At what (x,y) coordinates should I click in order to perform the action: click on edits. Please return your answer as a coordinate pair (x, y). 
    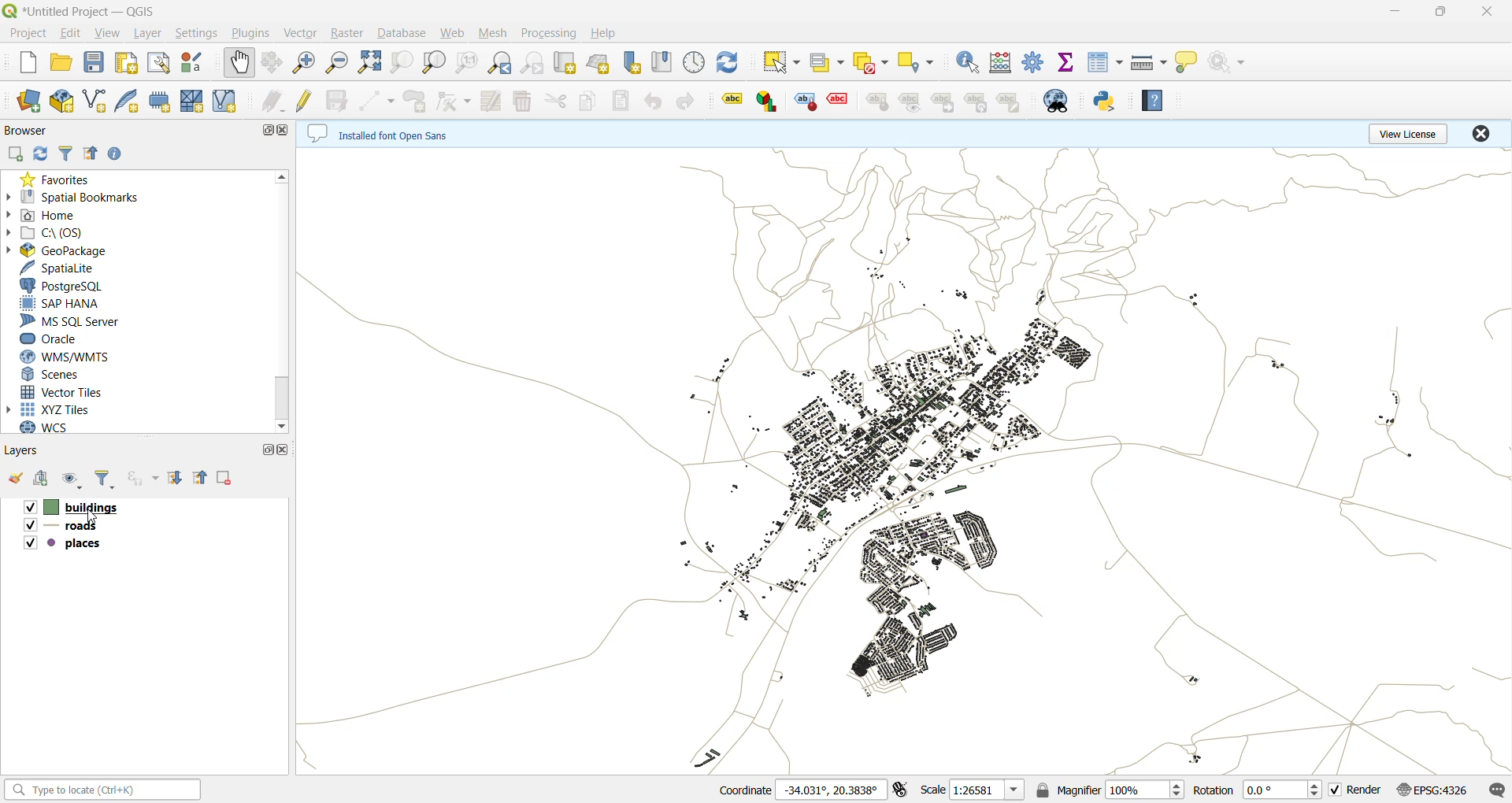
    Looking at the image, I should click on (276, 102).